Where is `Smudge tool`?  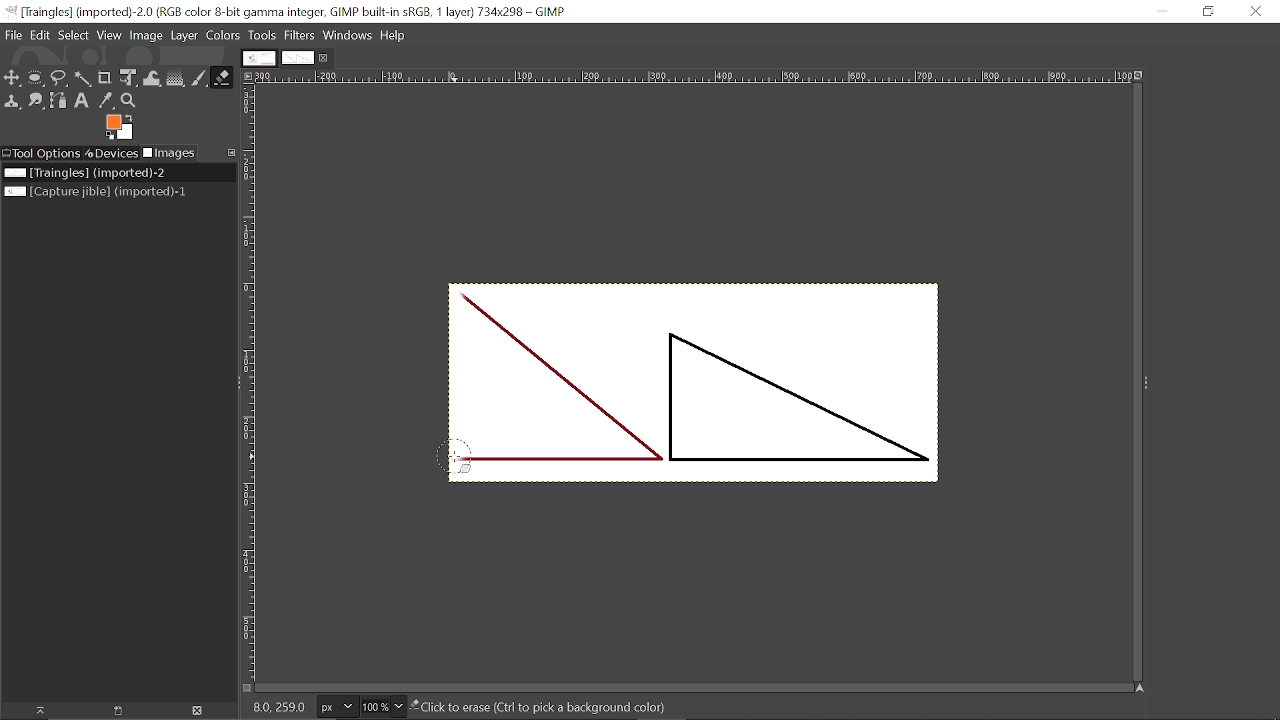
Smudge tool is located at coordinates (36, 101).